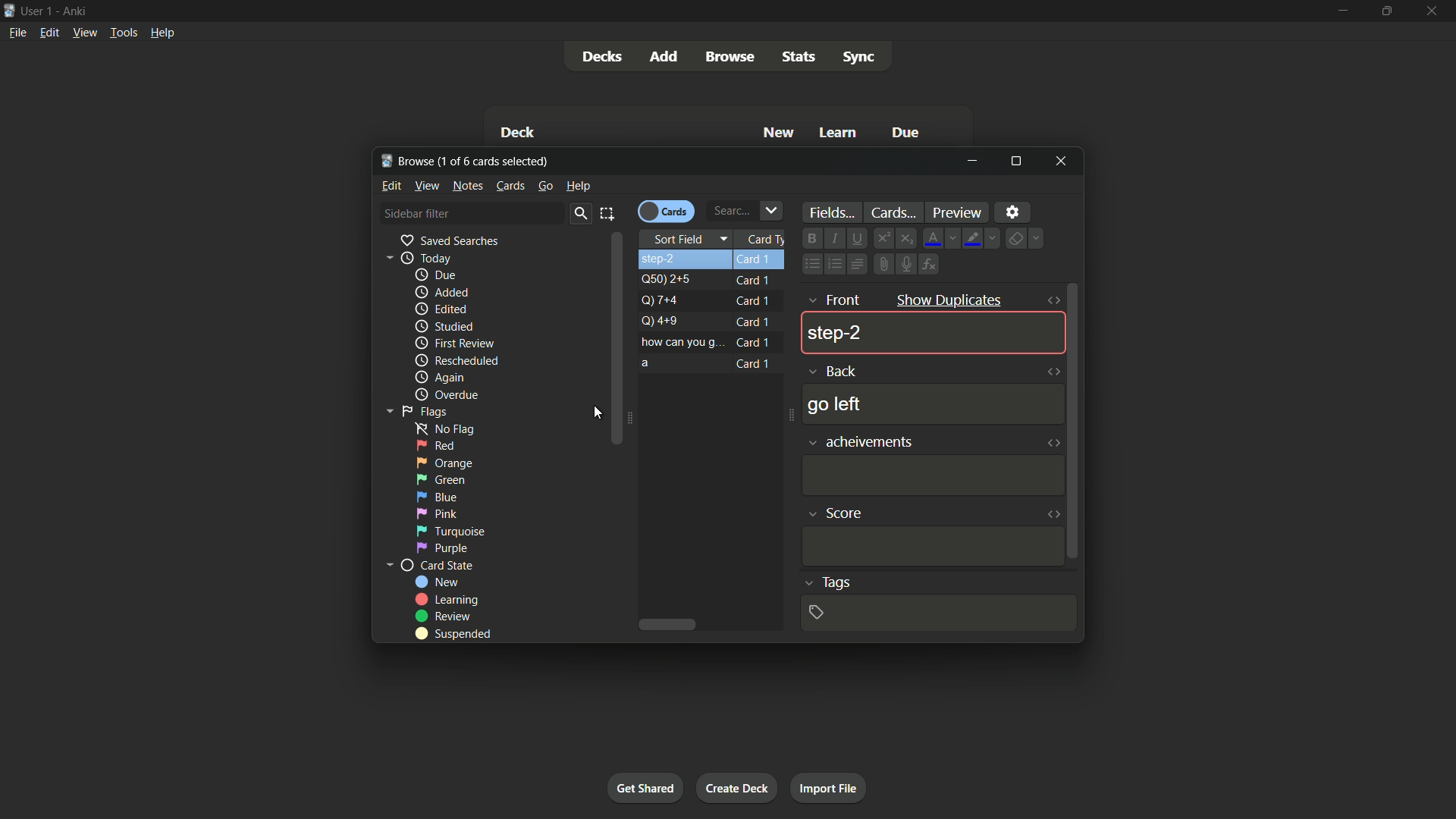 Image resolution: width=1456 pixels, height=819 pixels. I want to click on orange, so click(445, 462).